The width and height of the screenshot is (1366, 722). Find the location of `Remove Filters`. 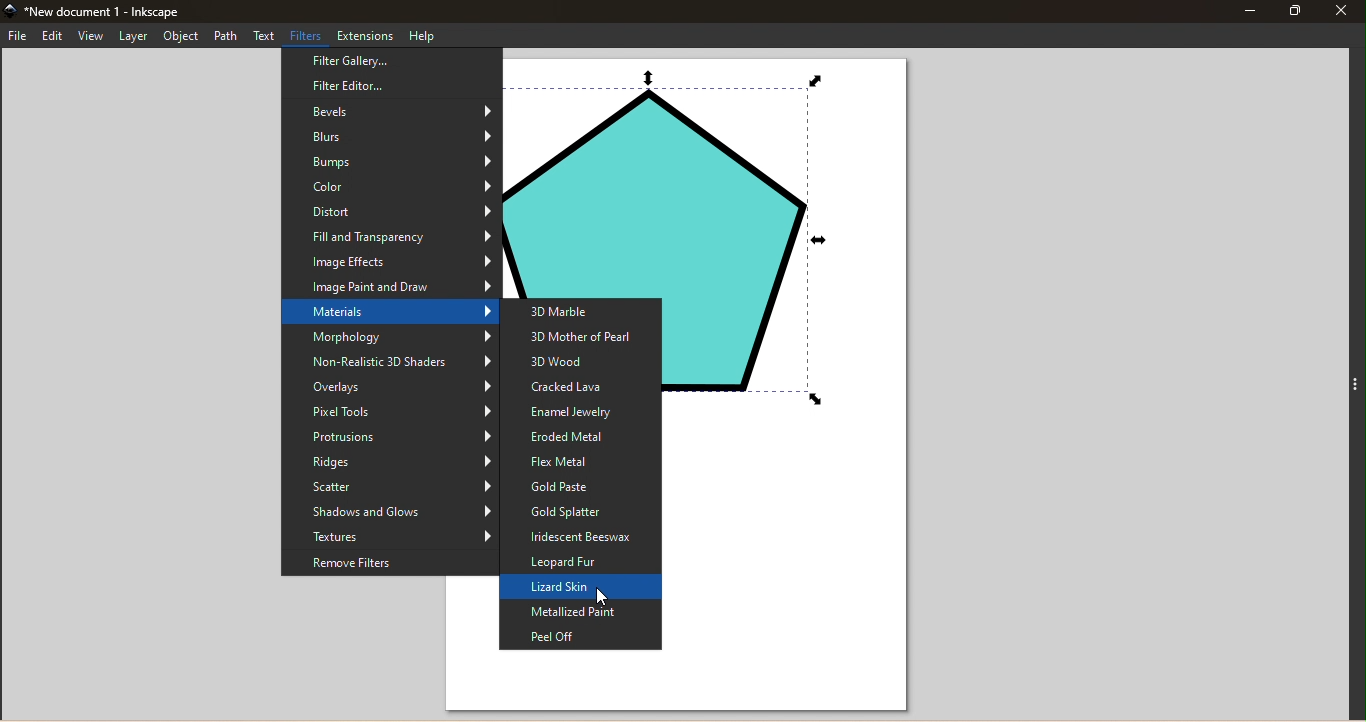

Remove Filters is located at coordinates (388, 565).